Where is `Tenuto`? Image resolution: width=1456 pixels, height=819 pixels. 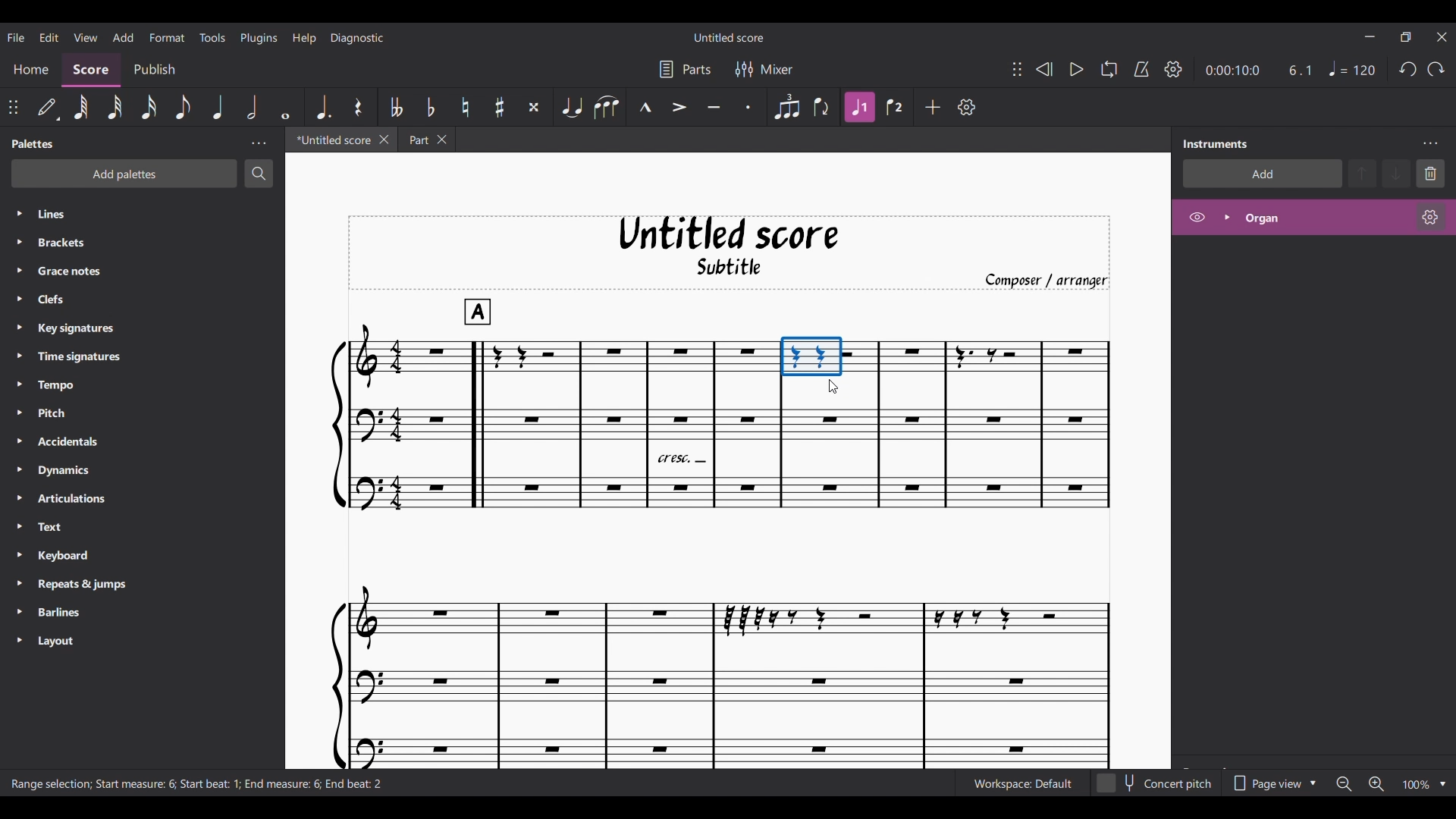 Tenuto is located at coordinates (714, 108).